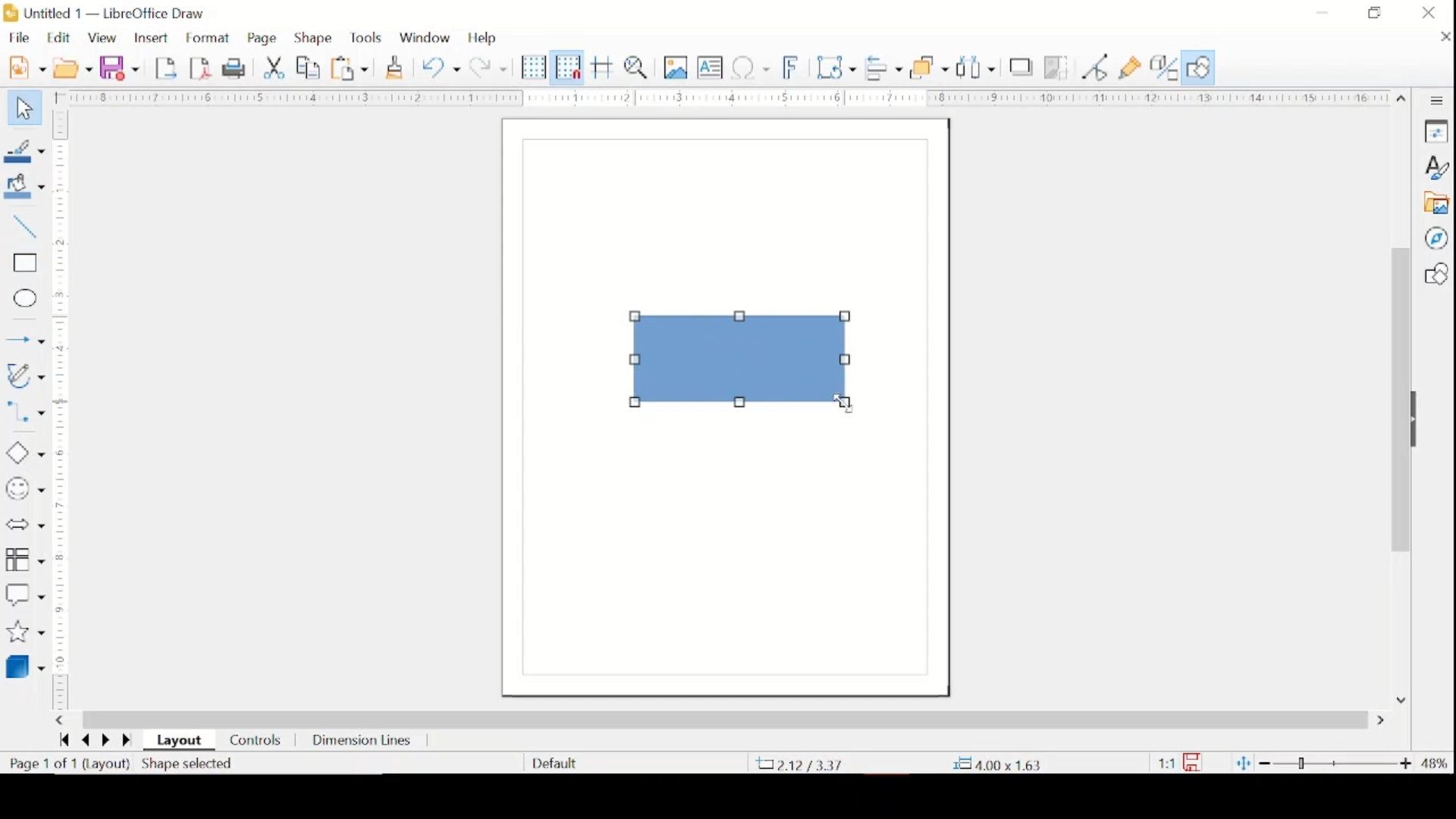 This screenshot has height=819, width=1456. Describe the element at coordinates (751, 67) in the screenshot. I see `insert special characters` at that location.